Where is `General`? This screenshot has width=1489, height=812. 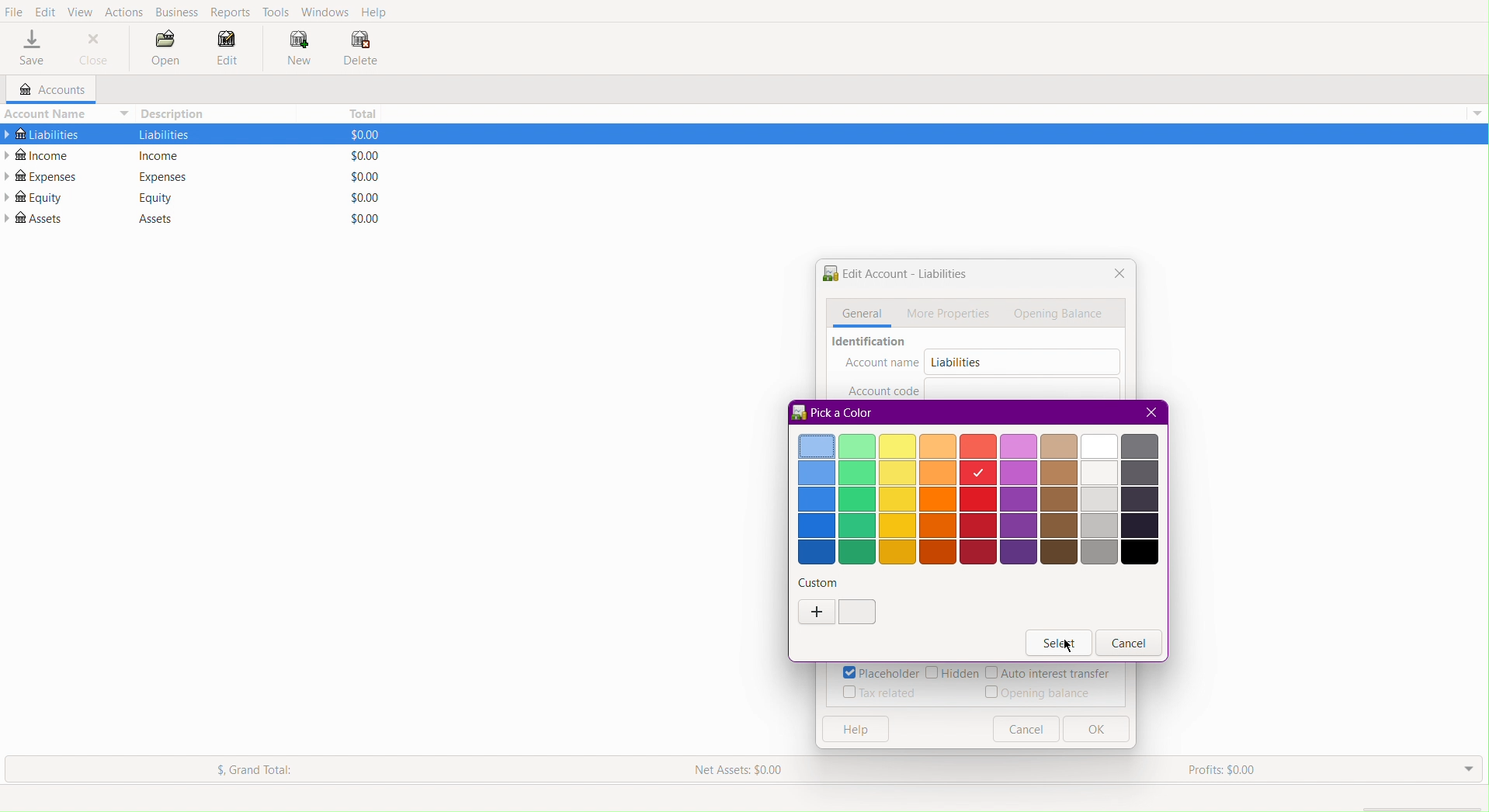 General is located at coordinates (859, 314).